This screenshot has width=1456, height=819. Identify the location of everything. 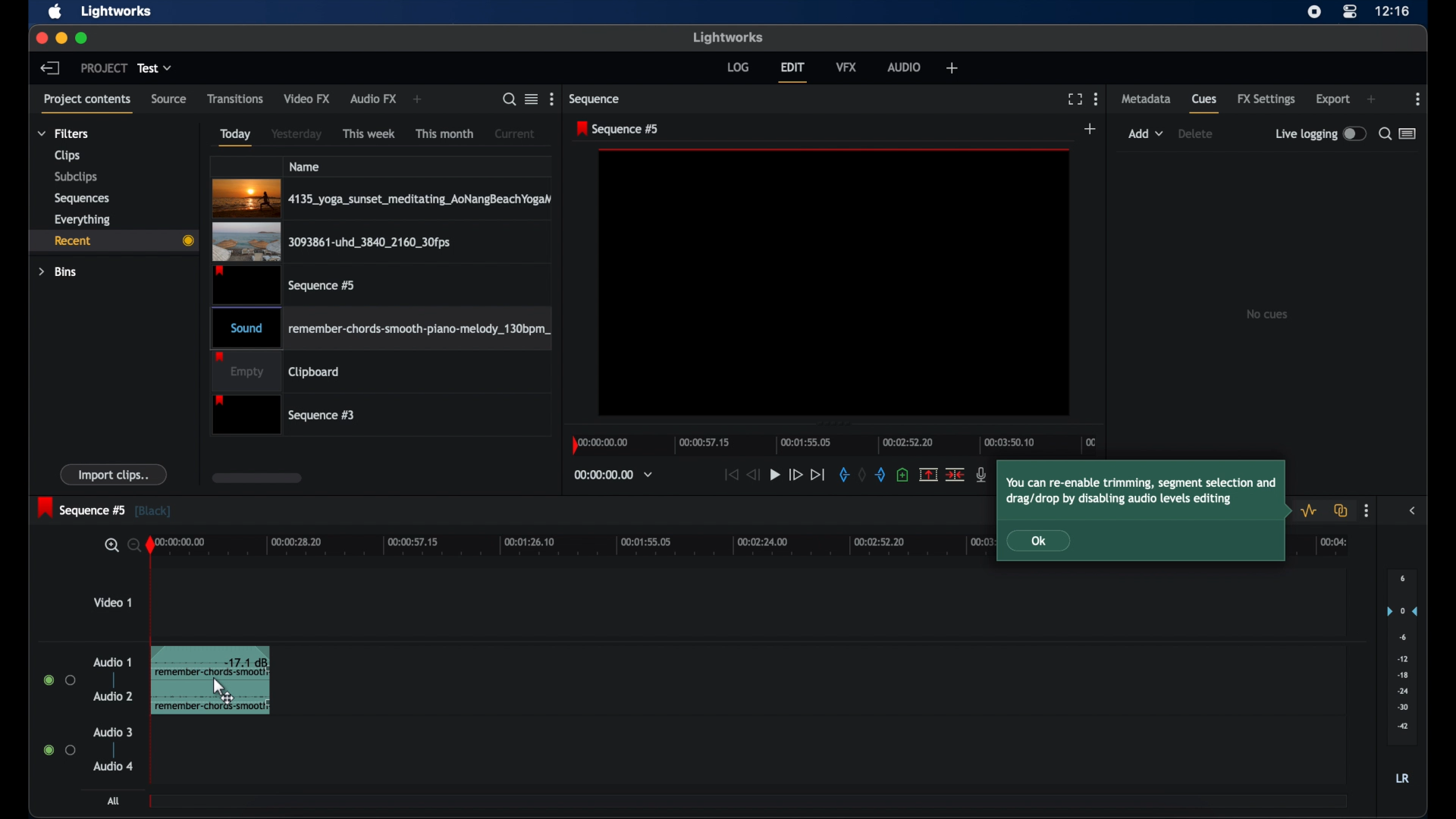
(82, 219).